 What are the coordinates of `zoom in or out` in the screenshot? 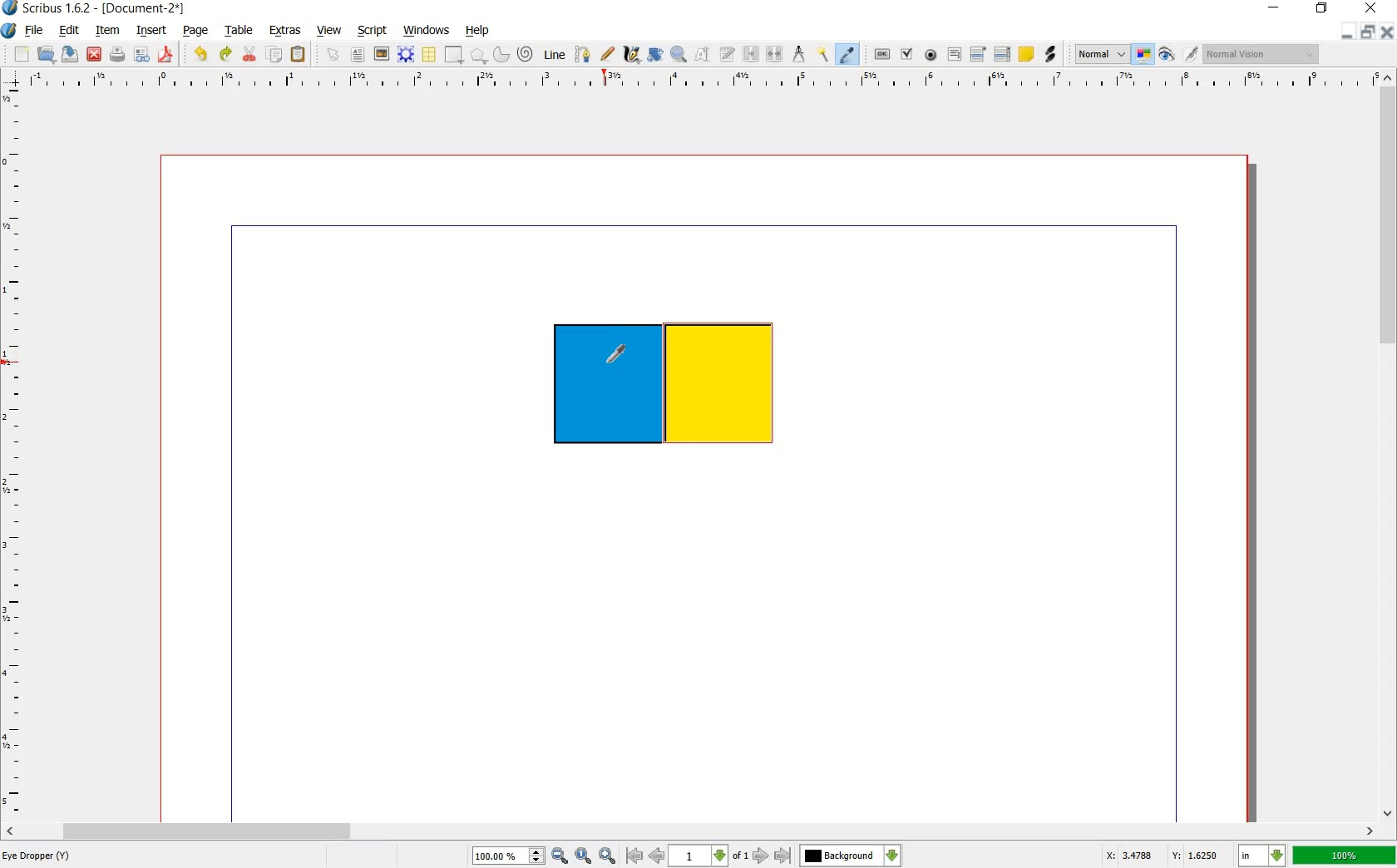 It's located at (679, 56).